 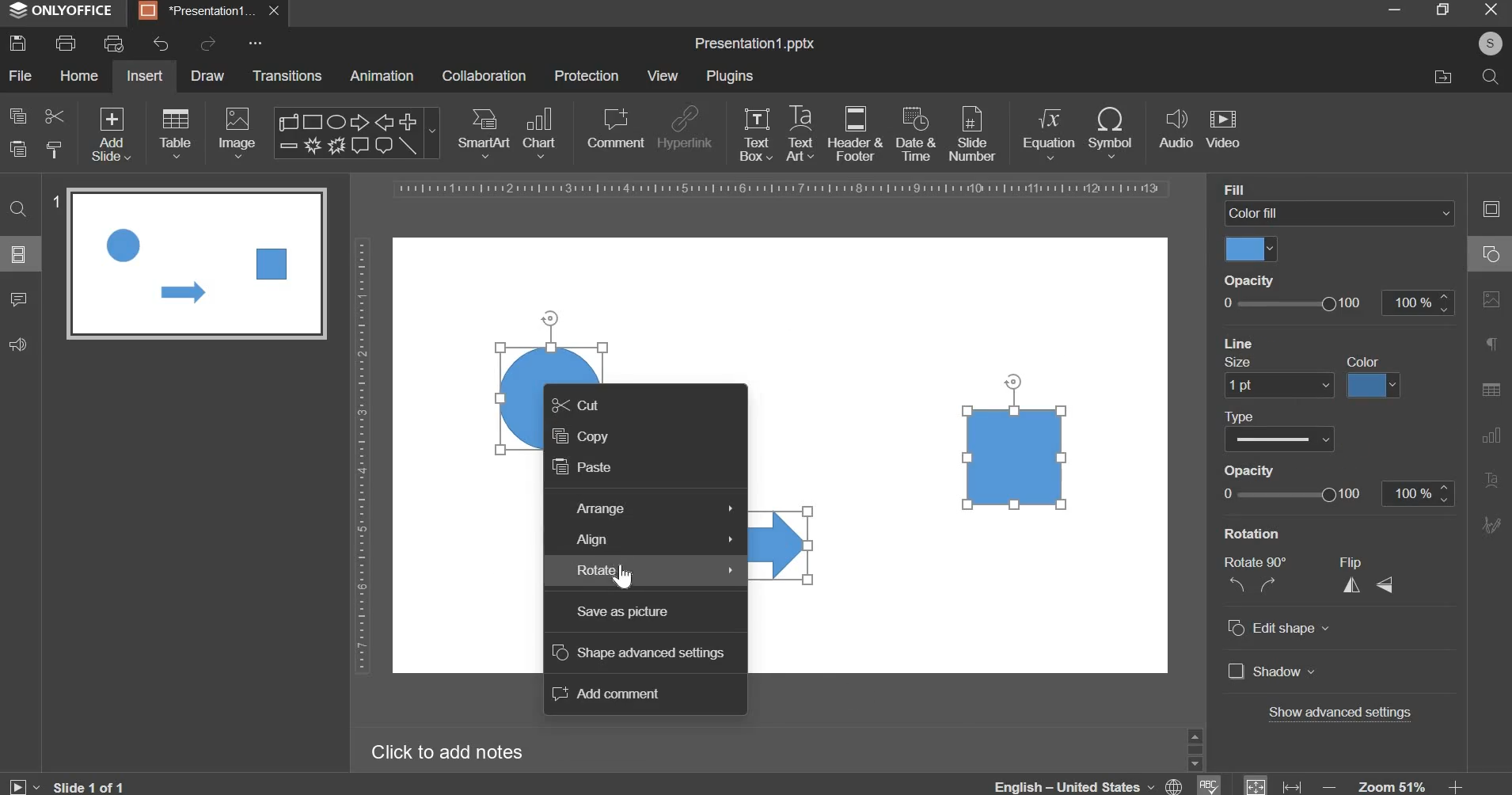 I want to click on date & time, so click(x=916, y=134).